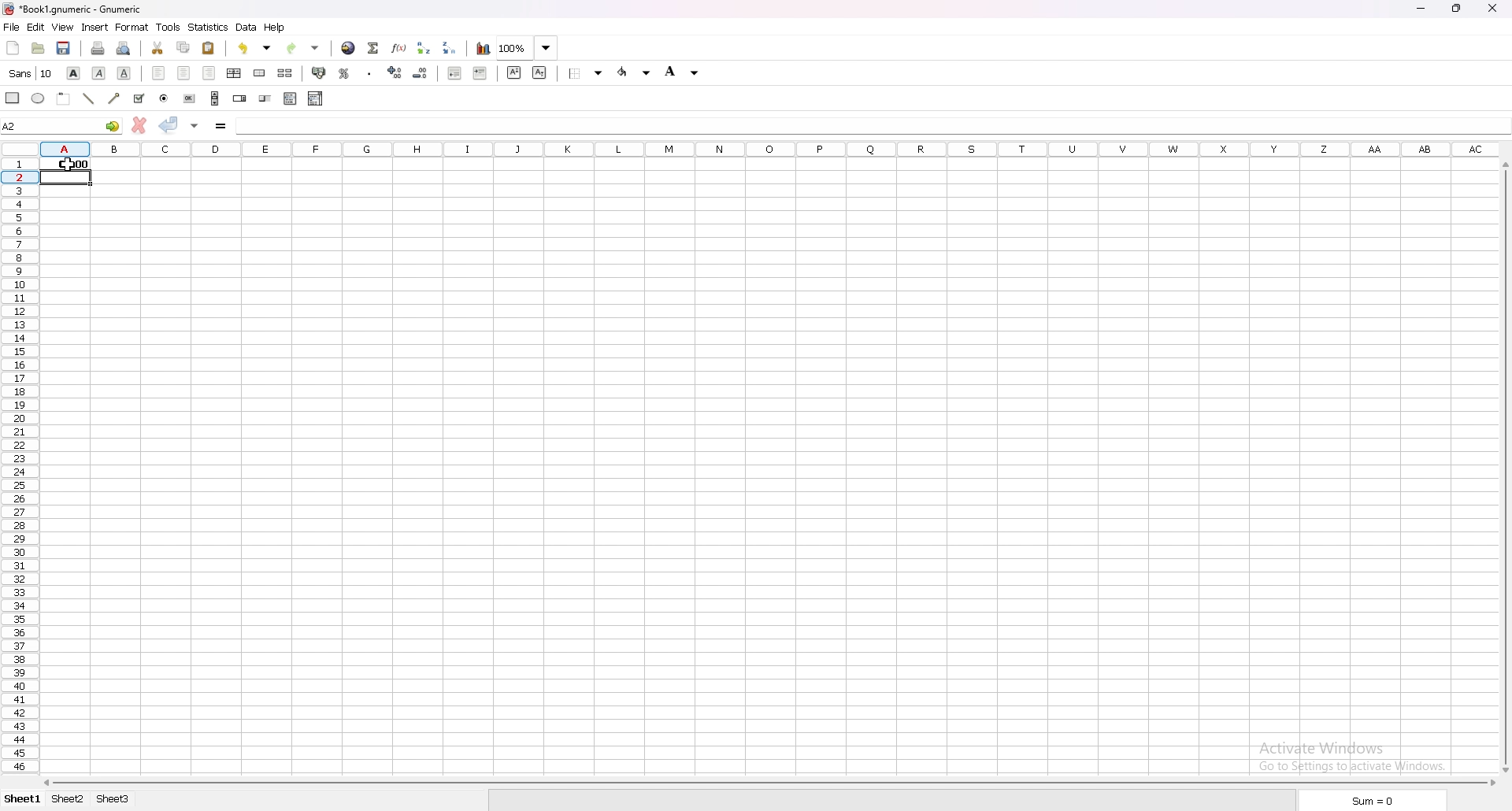 The width and height of the screenshot is (1512, 811). What do you see at coordinates (1371, 800) in the screenshot?
I see `sum` at bounding box center [1371, 800].